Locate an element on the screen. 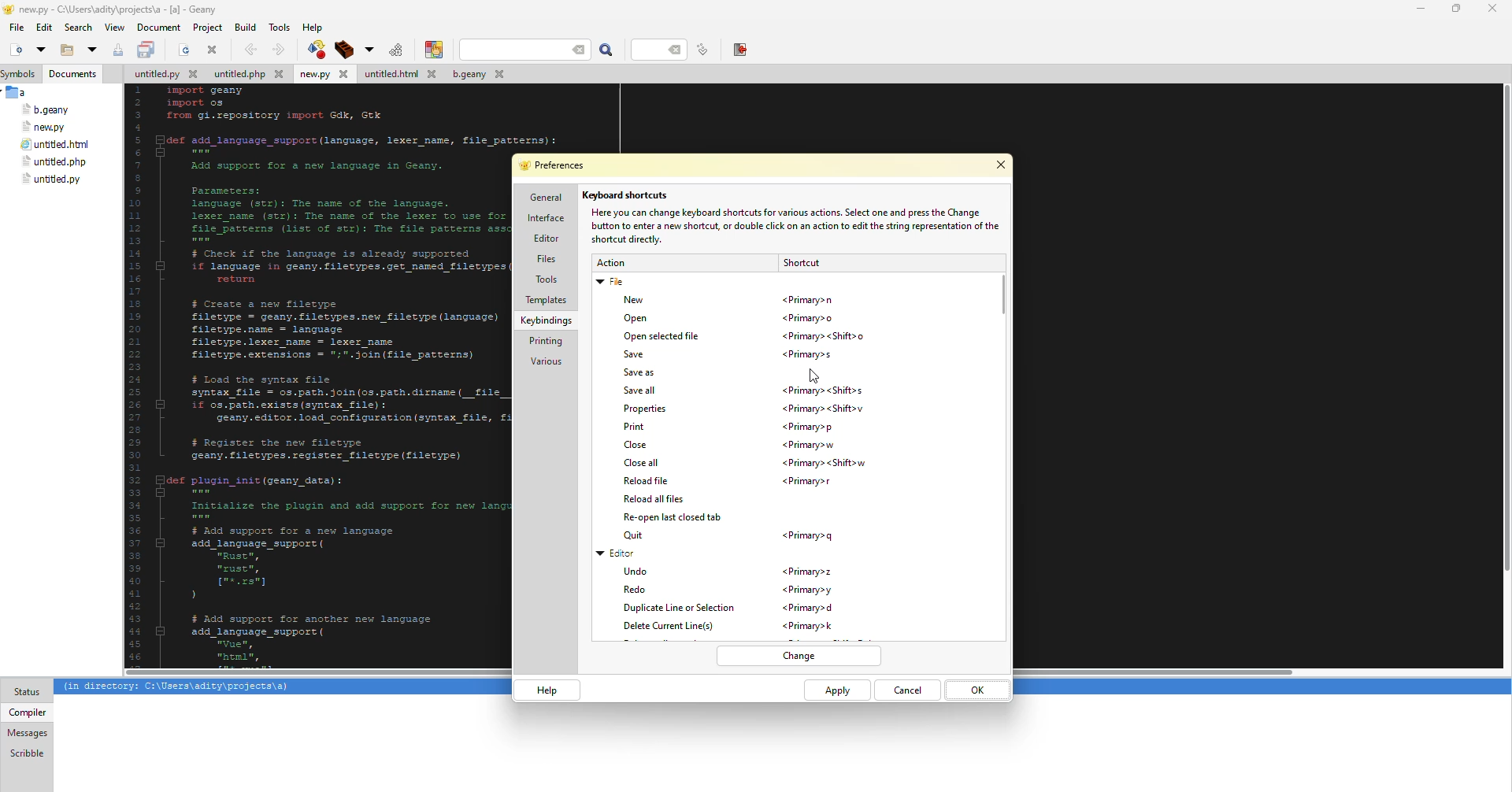 The height and width of the screenshot is (792, 1512). ok is located at coordinates (976, 689).